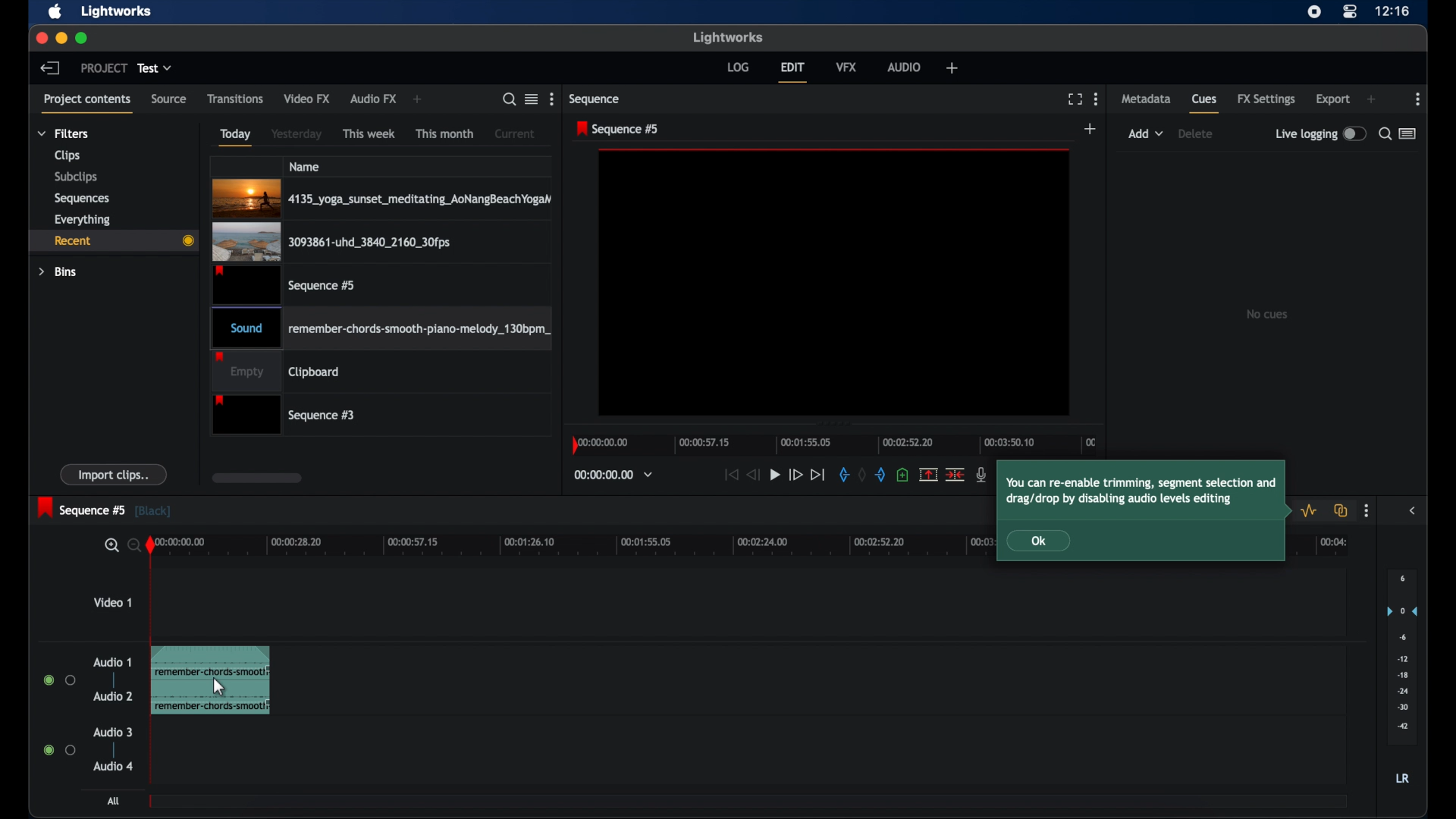 This screenshot has height=819, width=1456. What do you see at coordinates (532, 98) in the screenshot?
I see `toggle list or tile view` at bounding box center [532, 98].